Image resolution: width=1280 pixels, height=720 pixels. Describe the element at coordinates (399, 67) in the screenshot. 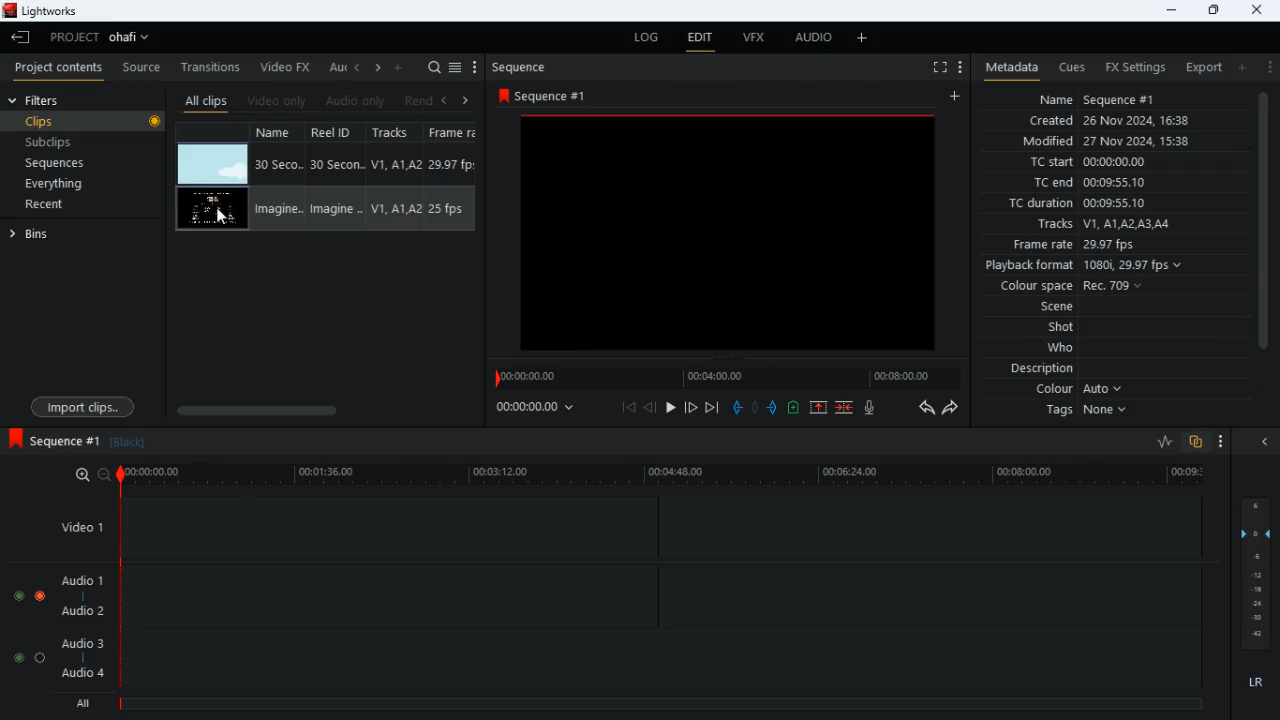

I see `more` at that location.